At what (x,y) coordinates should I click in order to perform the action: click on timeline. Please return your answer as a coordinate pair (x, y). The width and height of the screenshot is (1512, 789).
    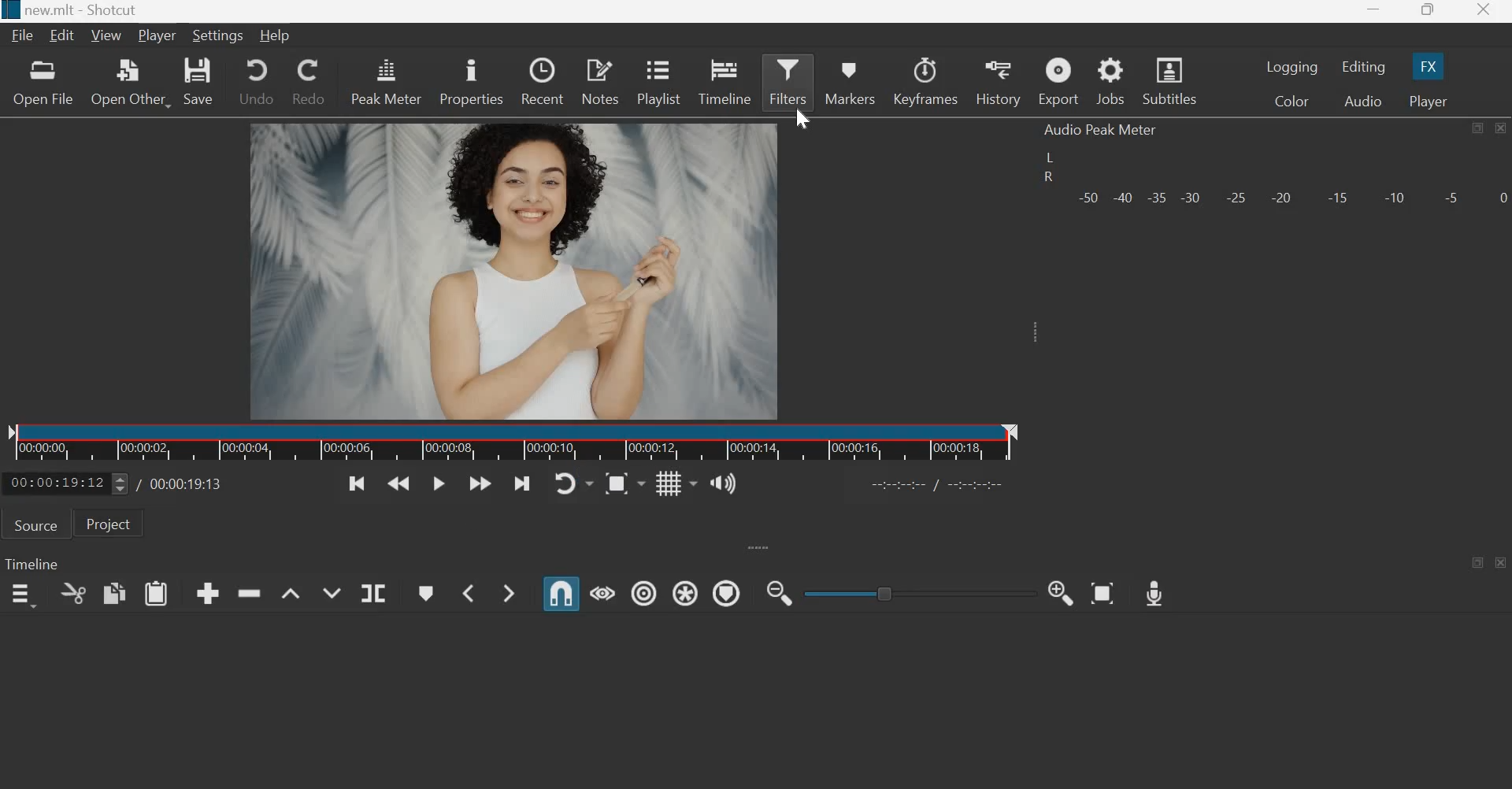
    Looking at the image, I should click on (726, 80).